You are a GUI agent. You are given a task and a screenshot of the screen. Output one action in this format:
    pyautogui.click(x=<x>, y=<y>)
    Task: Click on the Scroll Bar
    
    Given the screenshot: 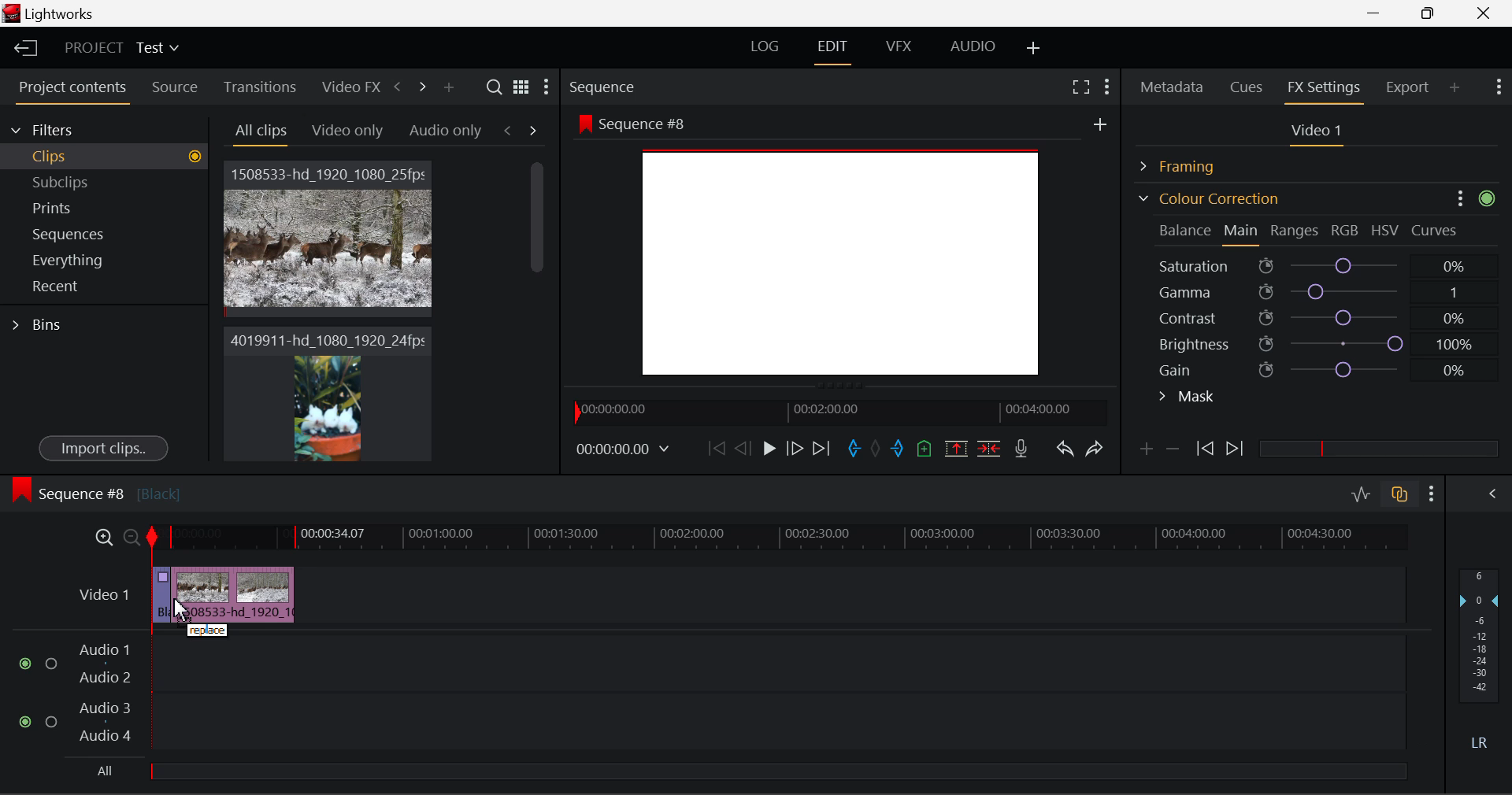 What is the action you would take?
    pyautogui.click(x=538, y=299)
    